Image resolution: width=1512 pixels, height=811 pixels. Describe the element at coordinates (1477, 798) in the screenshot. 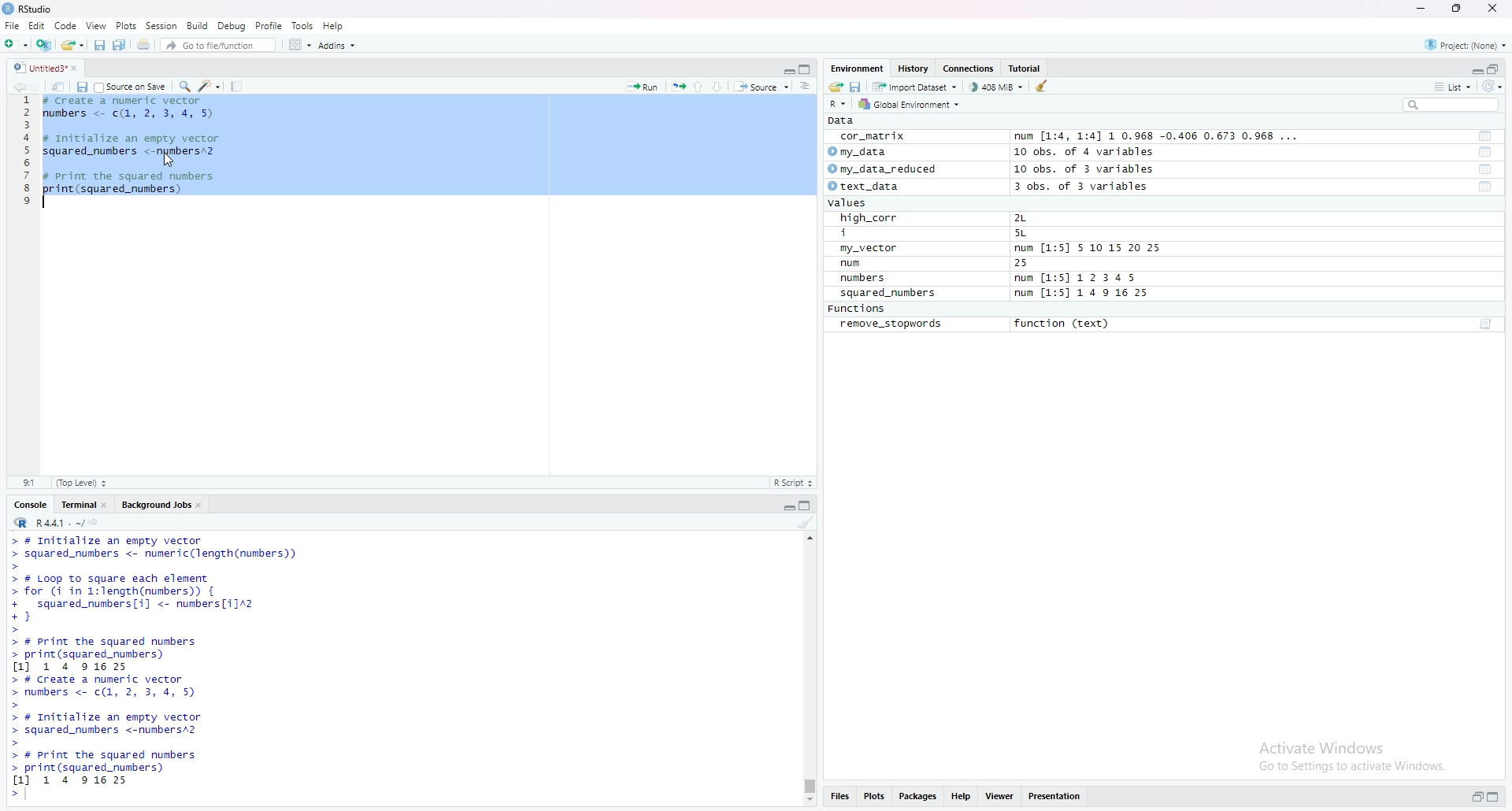

I see `restore` at that location.